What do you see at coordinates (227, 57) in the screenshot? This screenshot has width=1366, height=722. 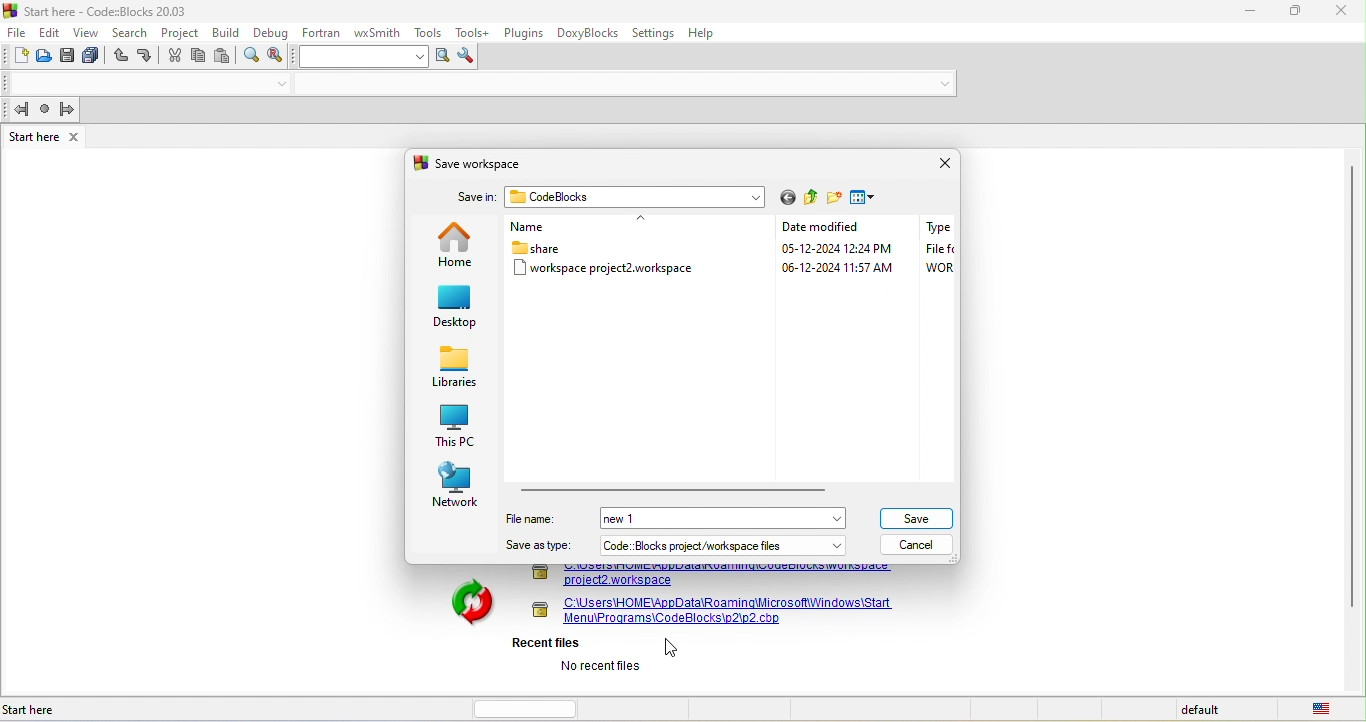 I see `paste` at bounding box center [227, 57].